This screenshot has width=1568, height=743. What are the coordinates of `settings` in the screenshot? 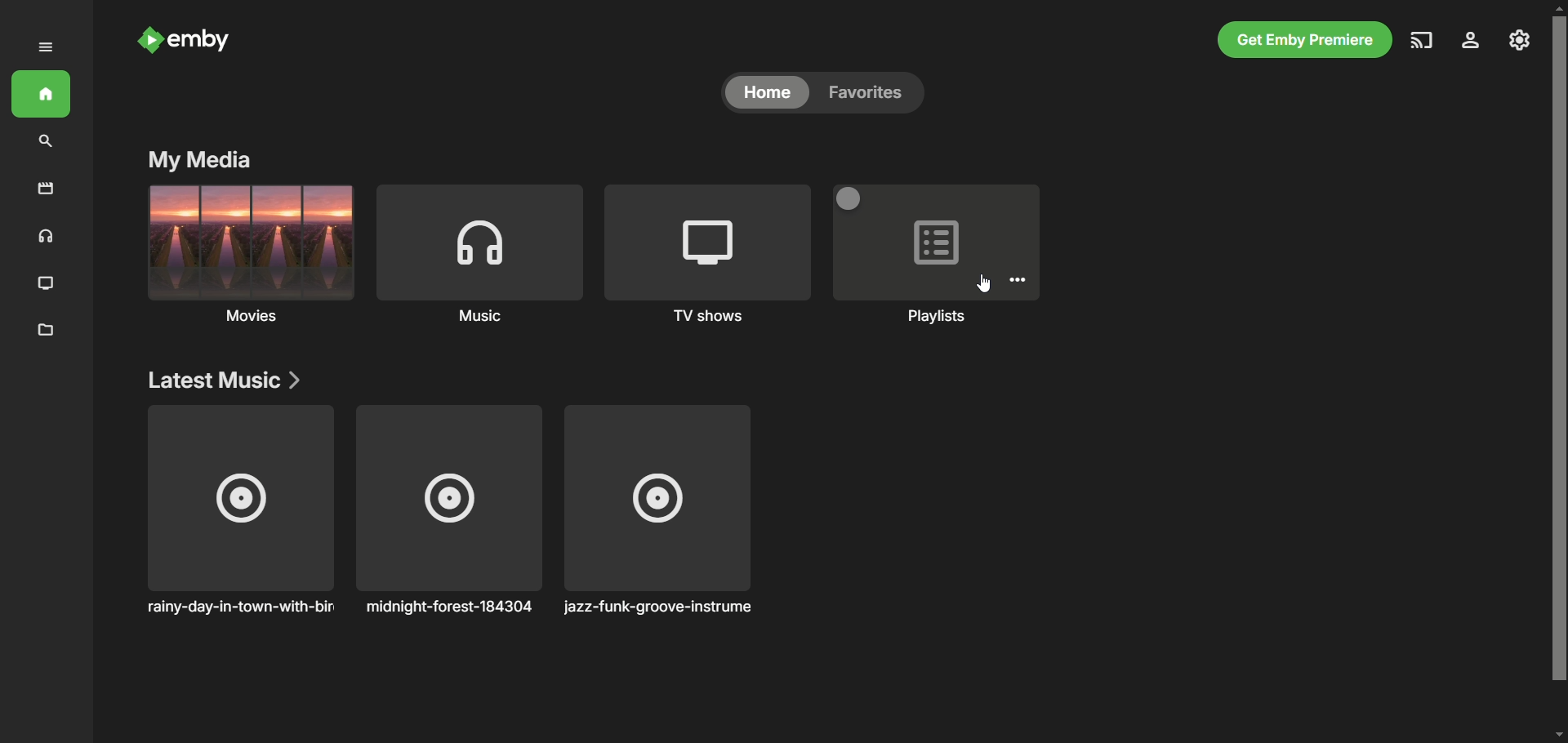 It's located at (1472, 40).